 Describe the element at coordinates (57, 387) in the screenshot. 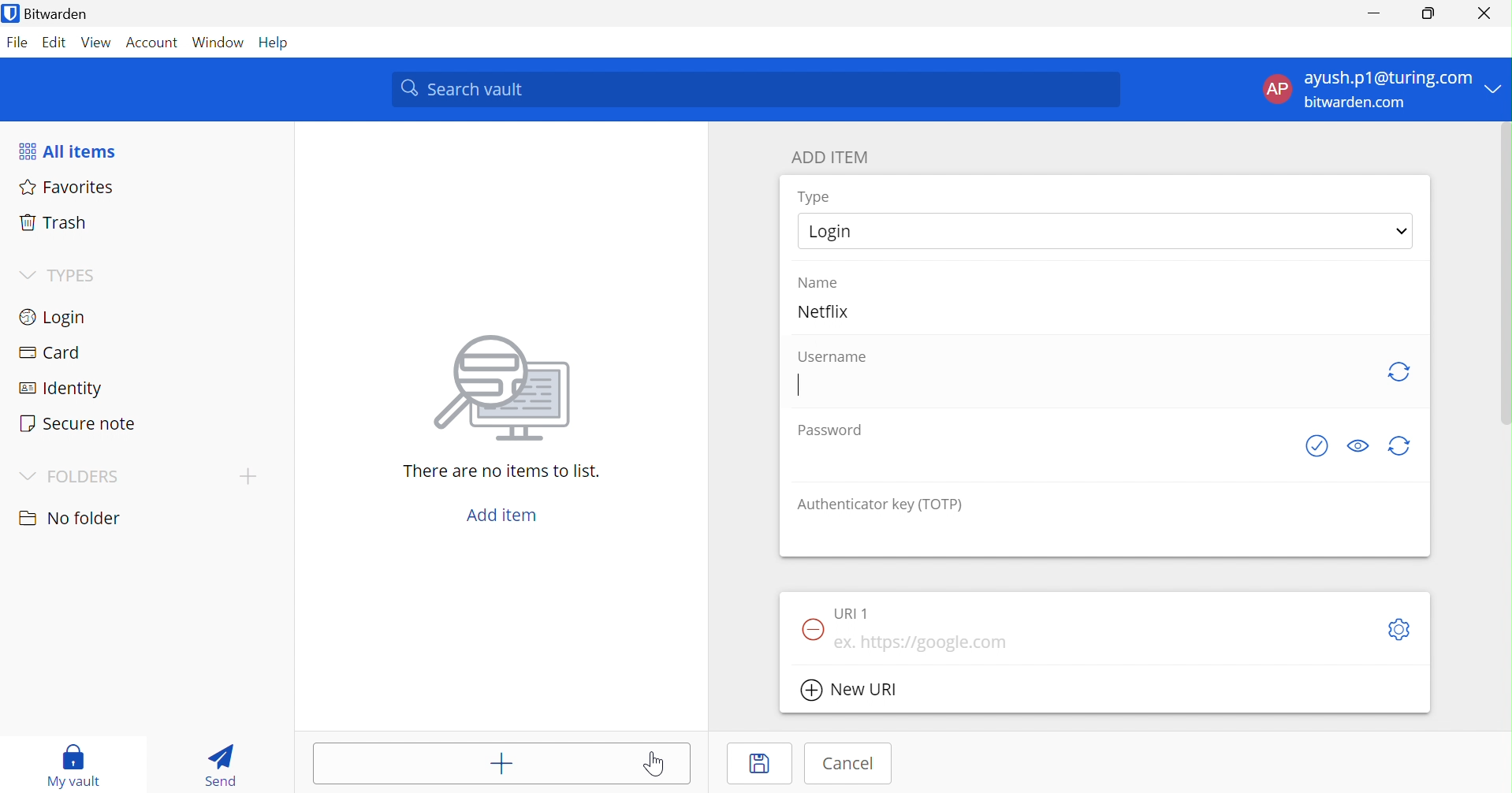

I see `Identity` at that location.